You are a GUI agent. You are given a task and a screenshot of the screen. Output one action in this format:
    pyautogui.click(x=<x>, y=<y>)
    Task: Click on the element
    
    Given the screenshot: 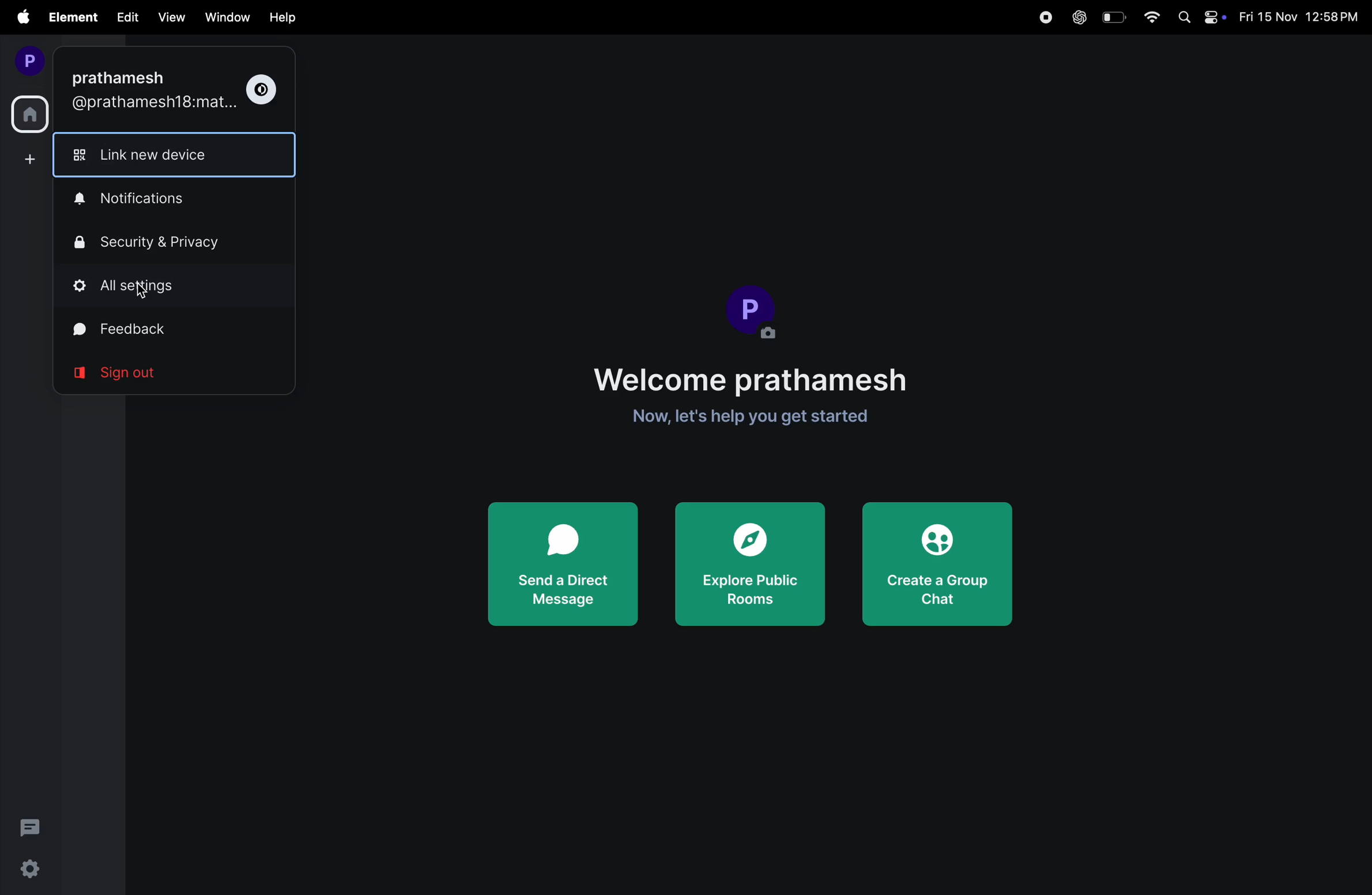 What is the action you would take?
    pyautogui.click(x=75, y=17)
    